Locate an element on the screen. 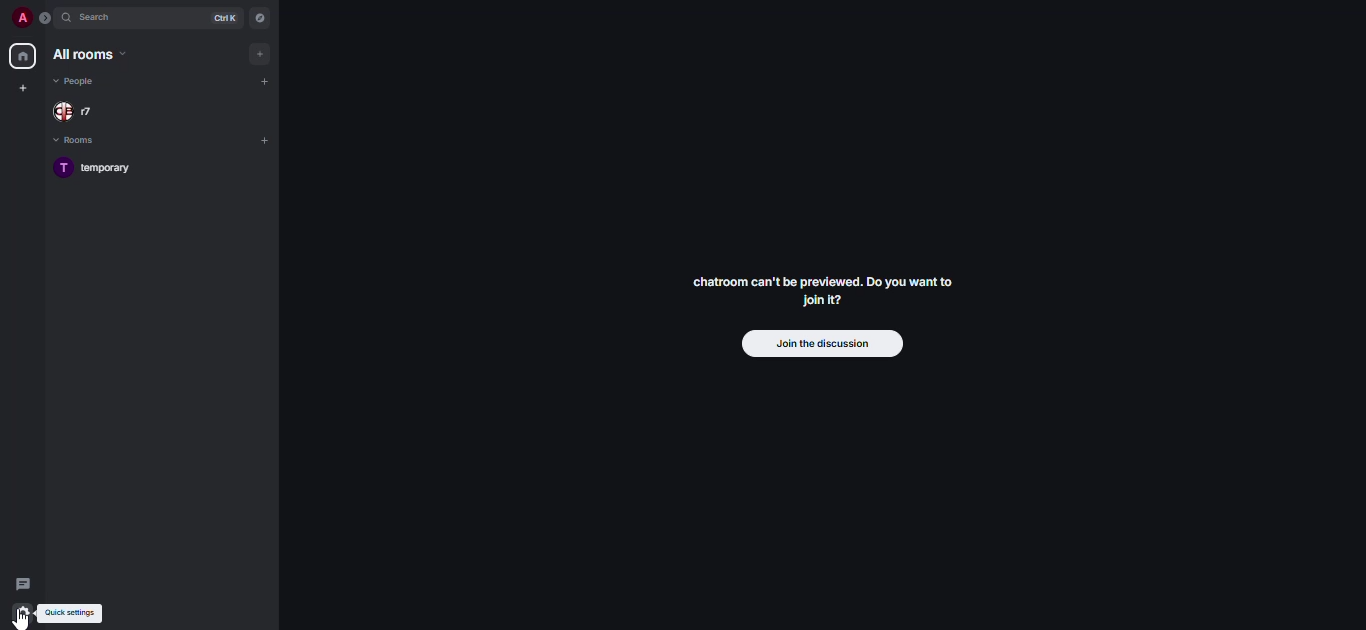 This screenshot has width=1366, height=630. cursor is located at coordinates (25, 621).